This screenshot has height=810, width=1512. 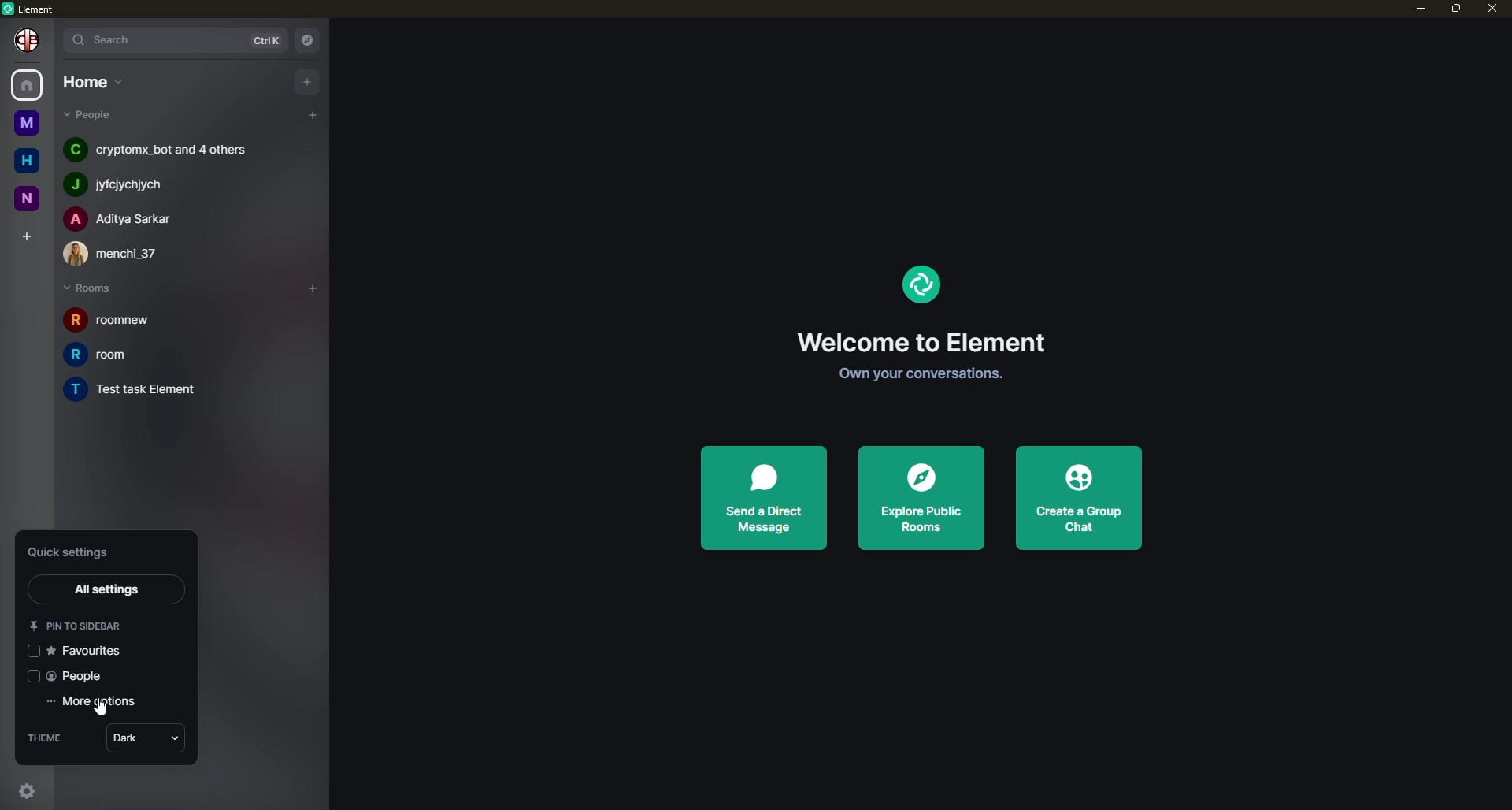 What do you see at coordinates (53, 739) in the screenshot?
I see `theme` at bounding box center [53, 739].